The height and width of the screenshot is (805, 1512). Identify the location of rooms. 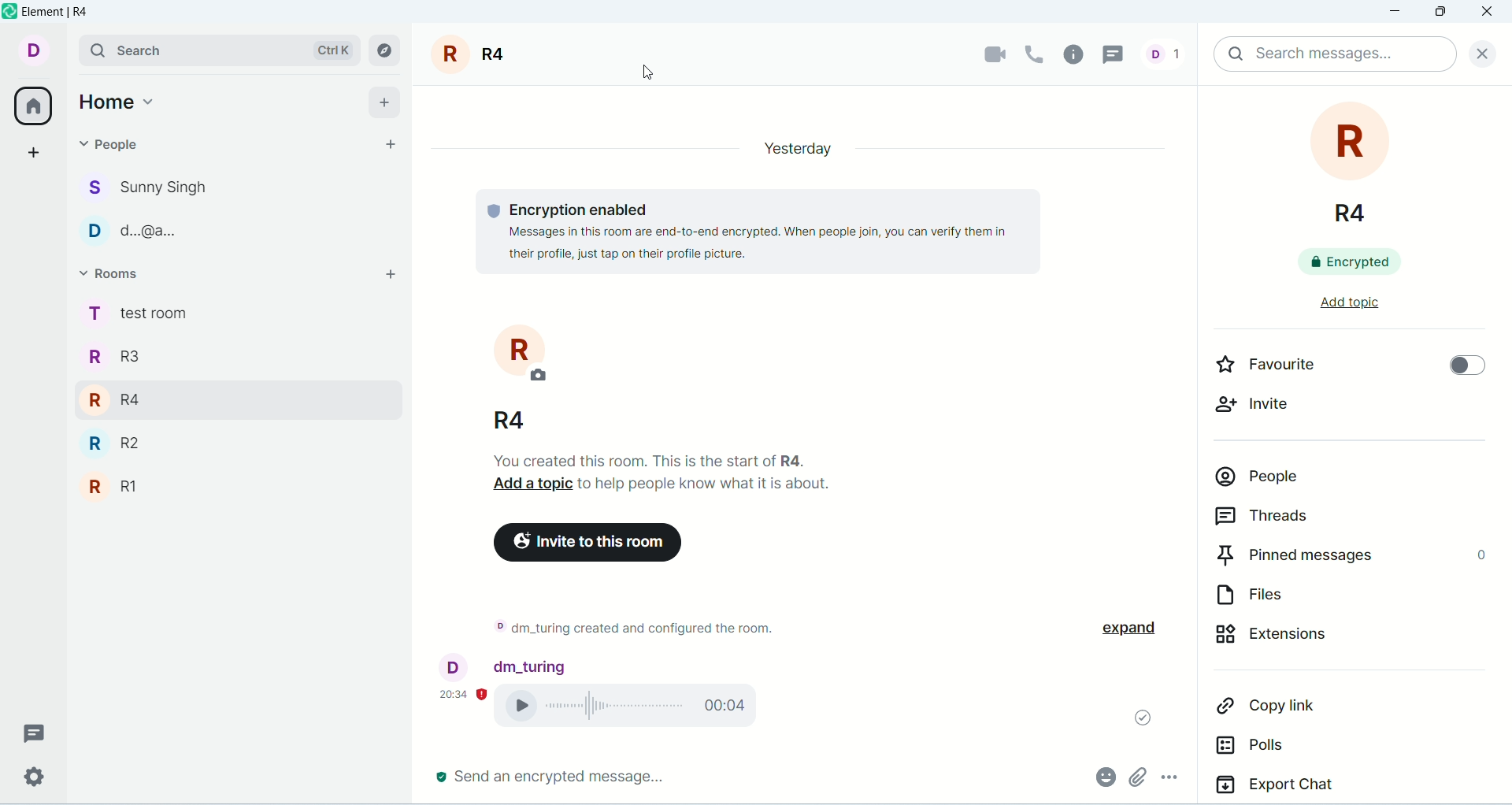
(117, 276).